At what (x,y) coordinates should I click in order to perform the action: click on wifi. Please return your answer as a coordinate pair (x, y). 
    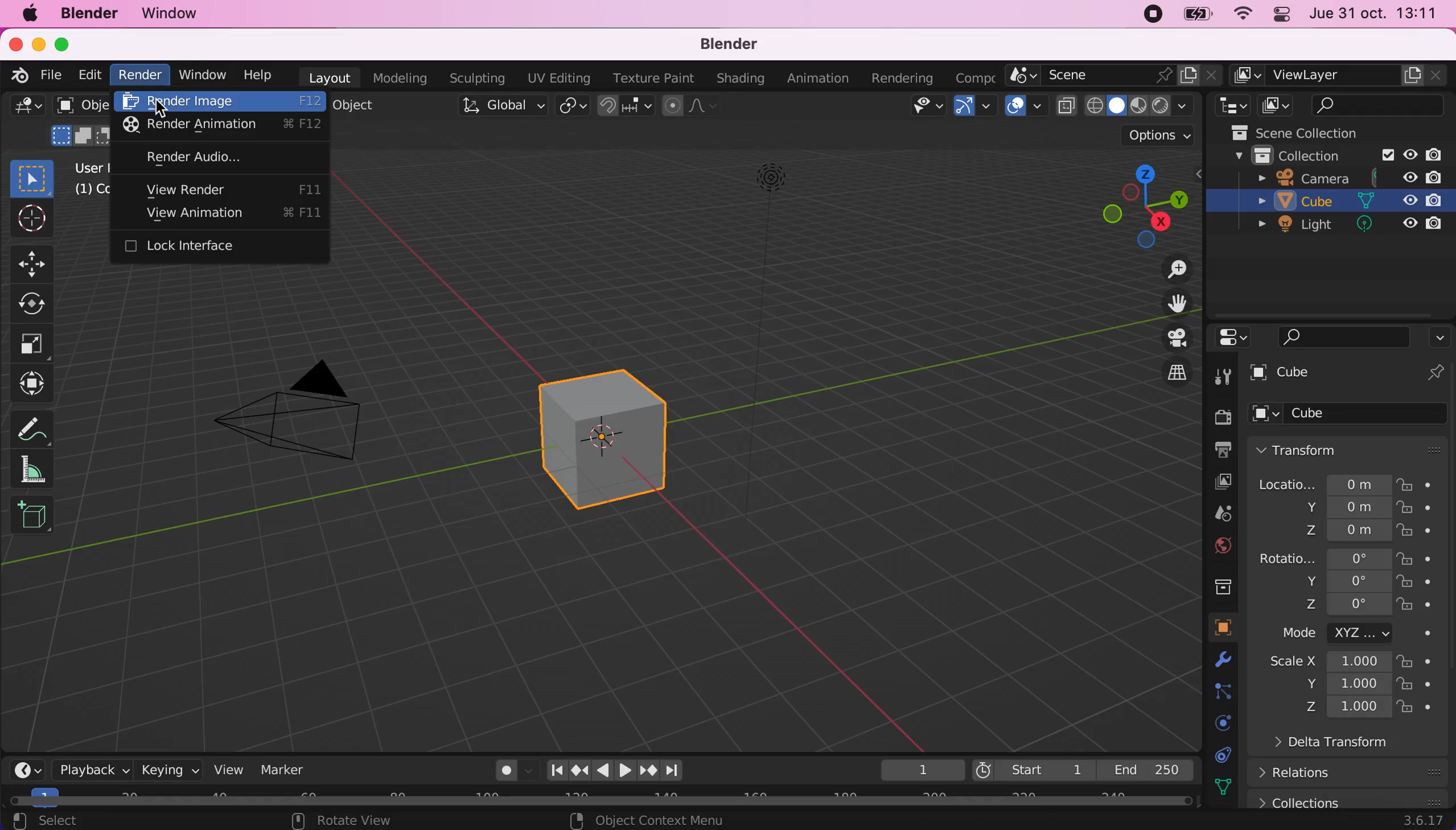
    Looking at the image, I should click on (1242, 19).